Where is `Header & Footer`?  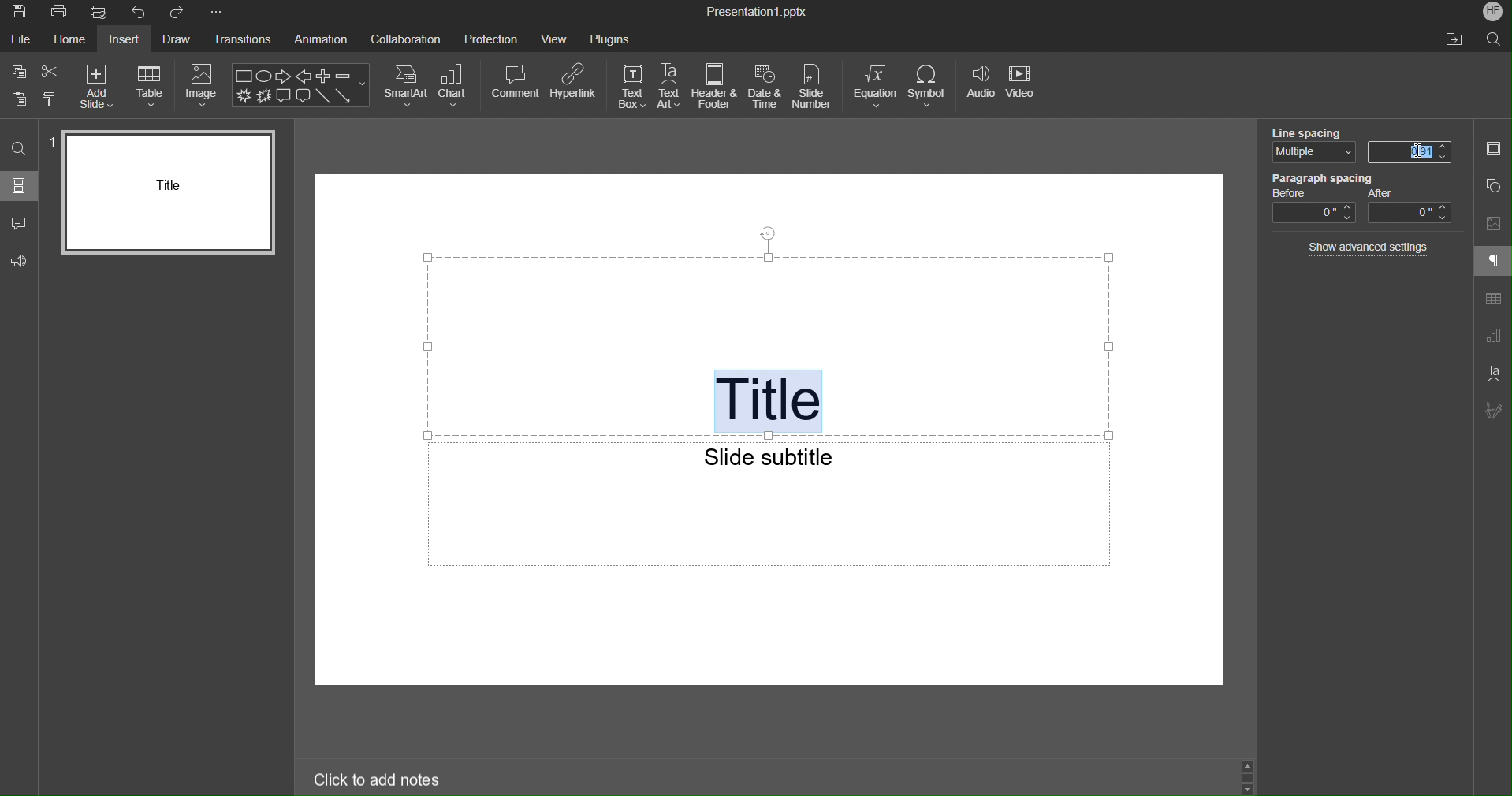 Header & Footer is located at coordinates (716, 87).